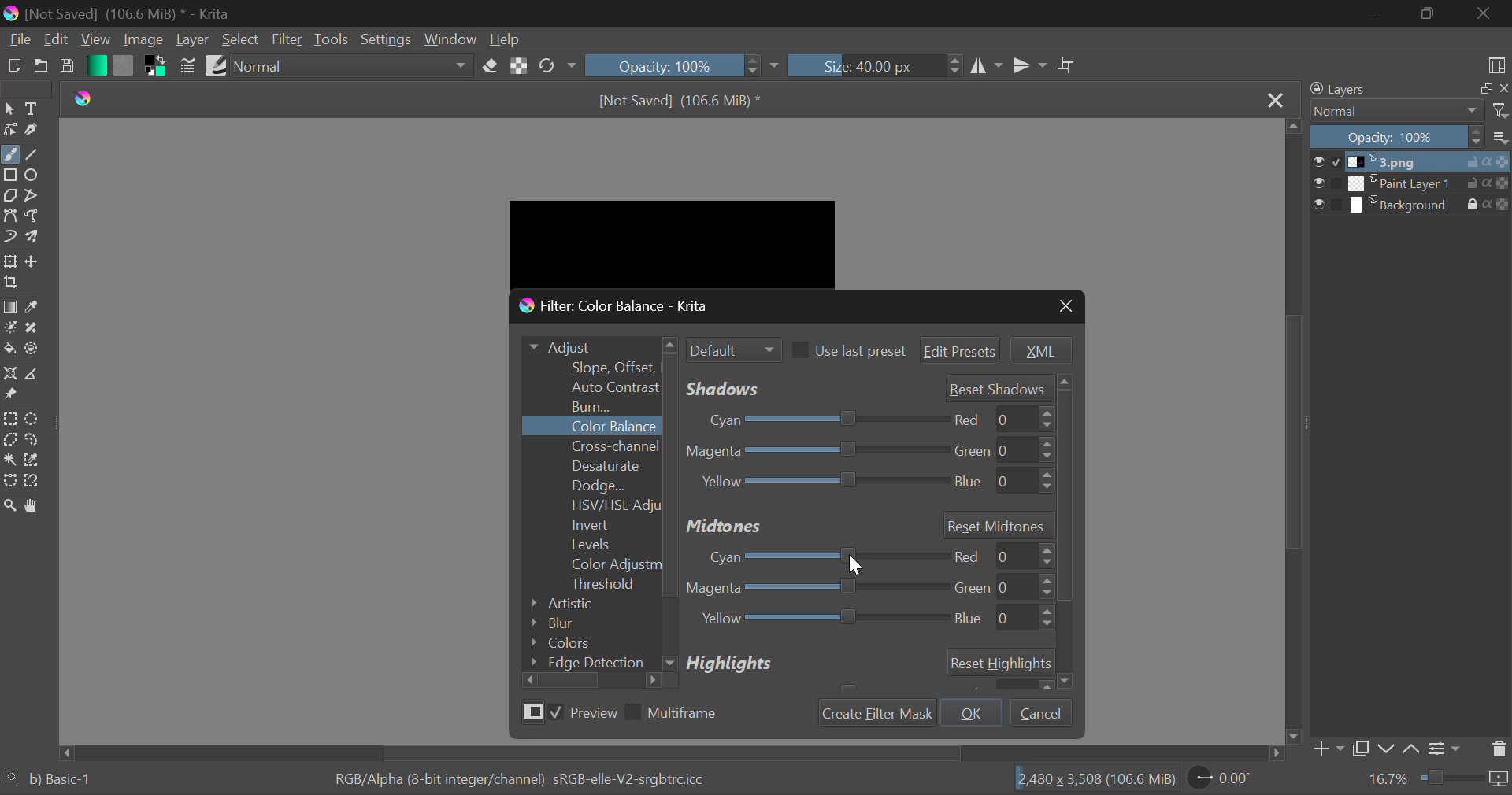 This screenshot has width=1512, height=795. Describe the element at coordinates (135, 11) in the screenshot. I see `[Not Saved] (106.6 MiB) * - Krita` at that location.